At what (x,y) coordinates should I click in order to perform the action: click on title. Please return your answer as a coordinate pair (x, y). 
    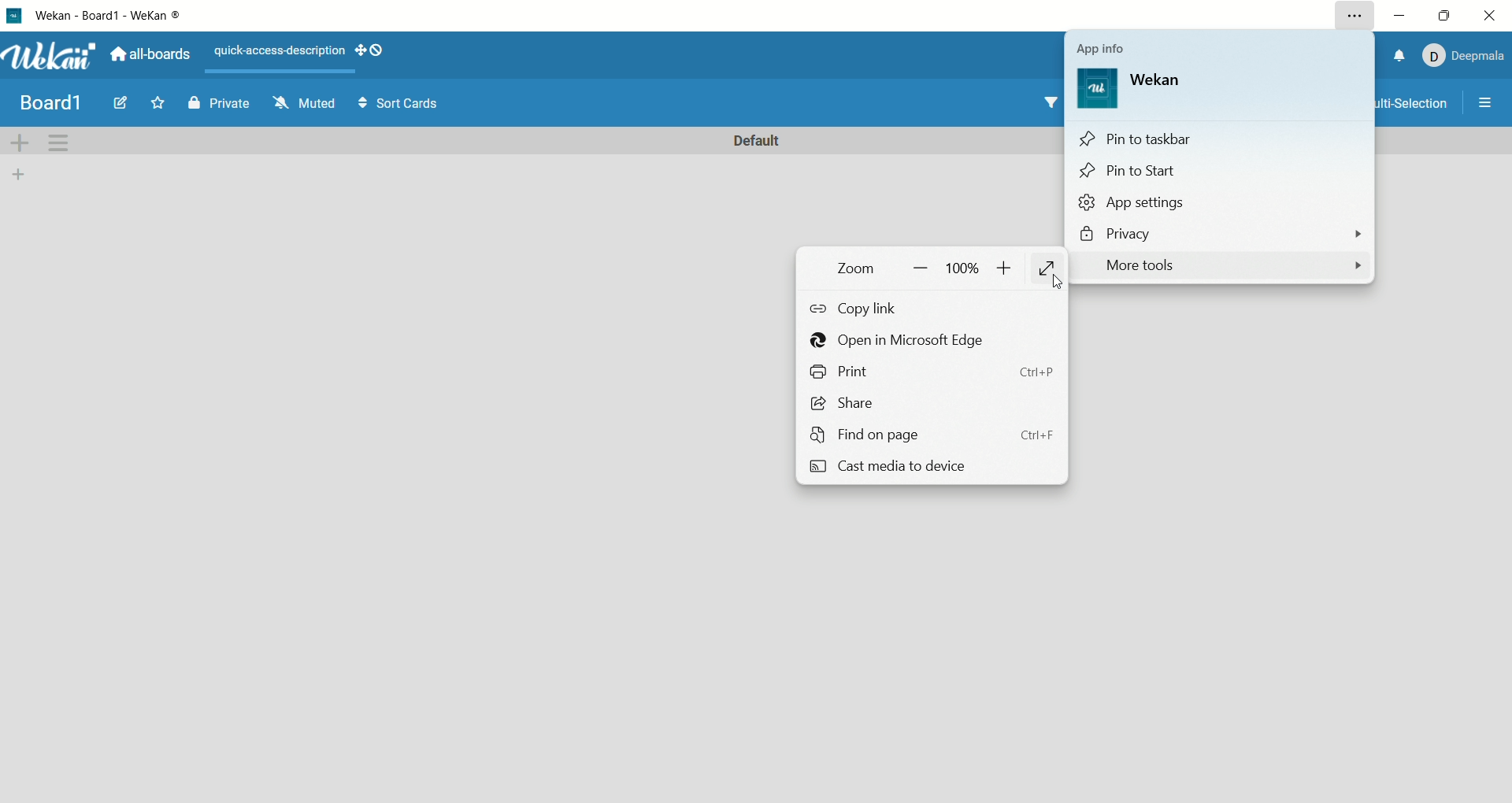
    Looking at the image, I should click on (50, 102).